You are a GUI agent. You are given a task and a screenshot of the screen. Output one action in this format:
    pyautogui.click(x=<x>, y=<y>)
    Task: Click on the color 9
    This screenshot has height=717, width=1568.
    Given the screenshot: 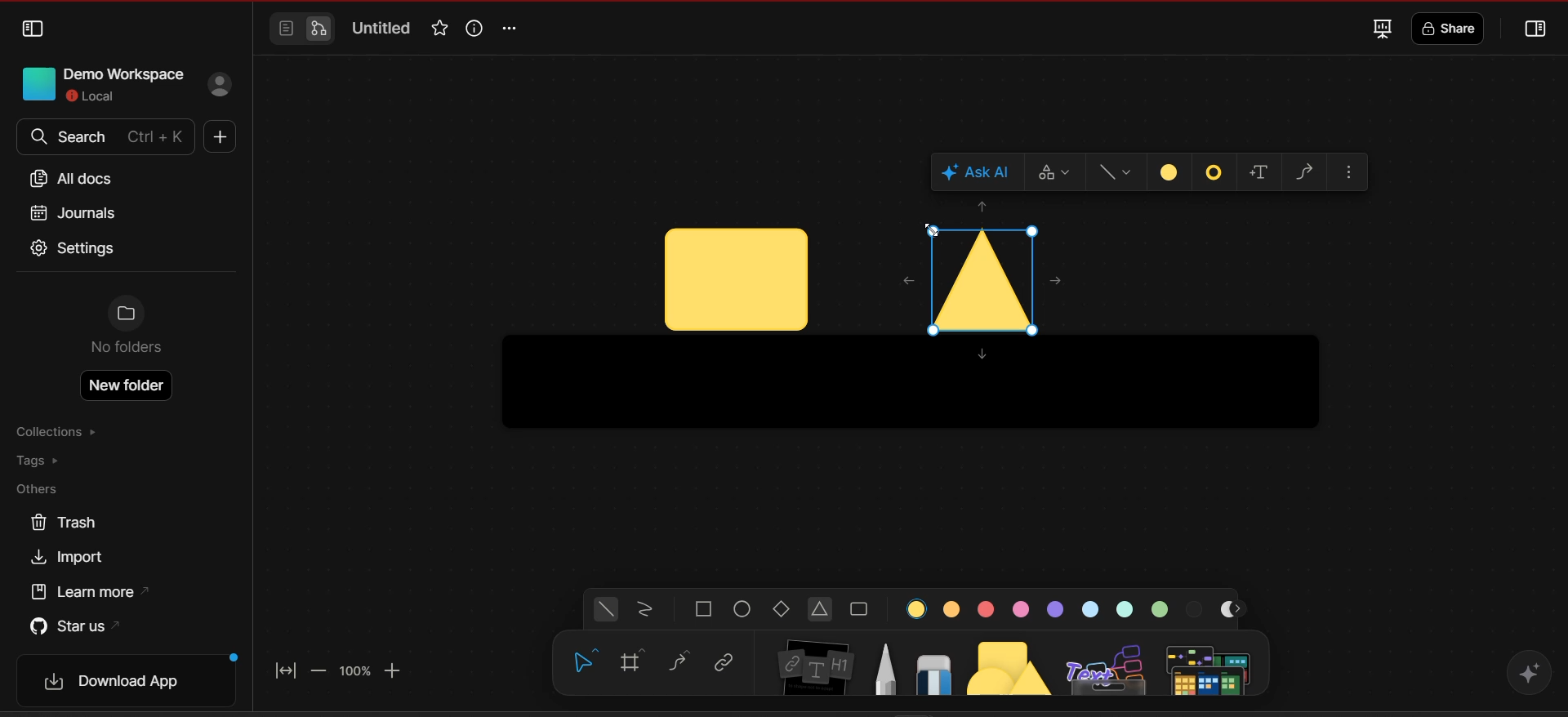 What is the action you would take?
    pyautogui.click(x=1196, y=608)
    